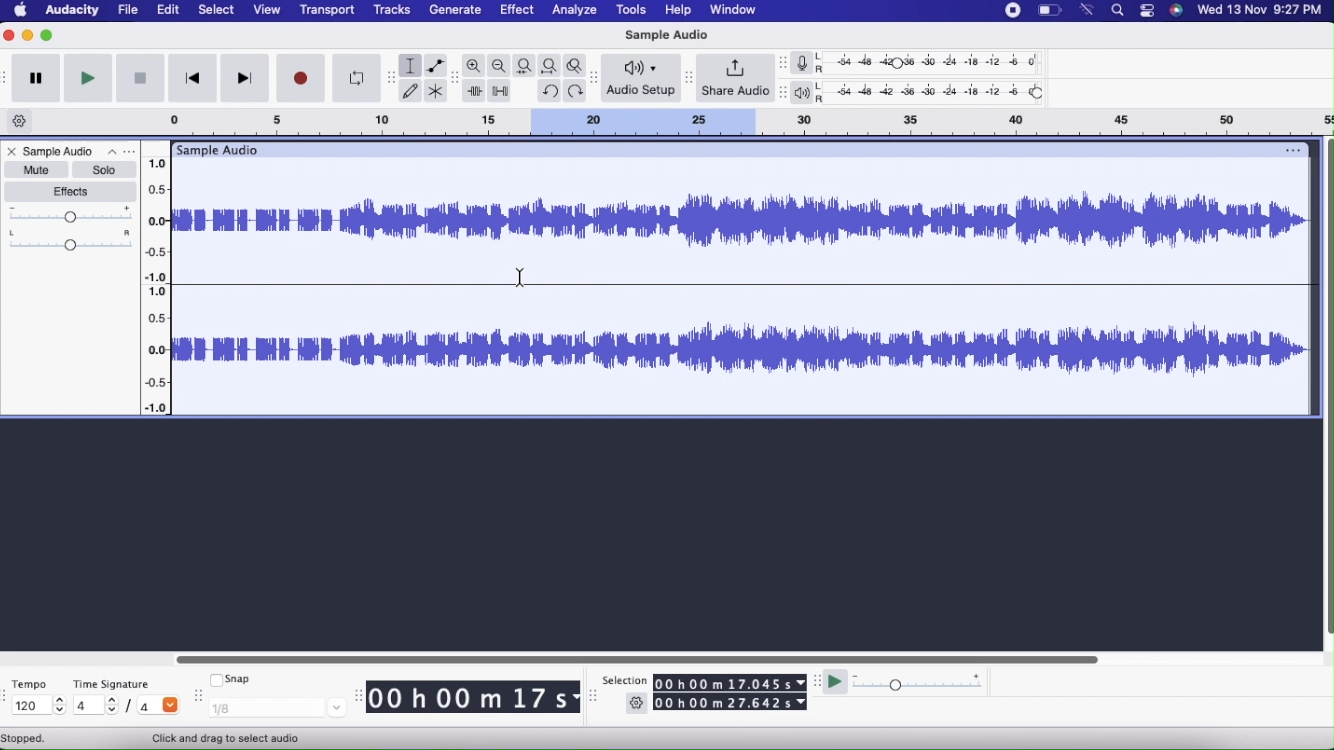  I want to click on Draw tool, so click(410, 90).